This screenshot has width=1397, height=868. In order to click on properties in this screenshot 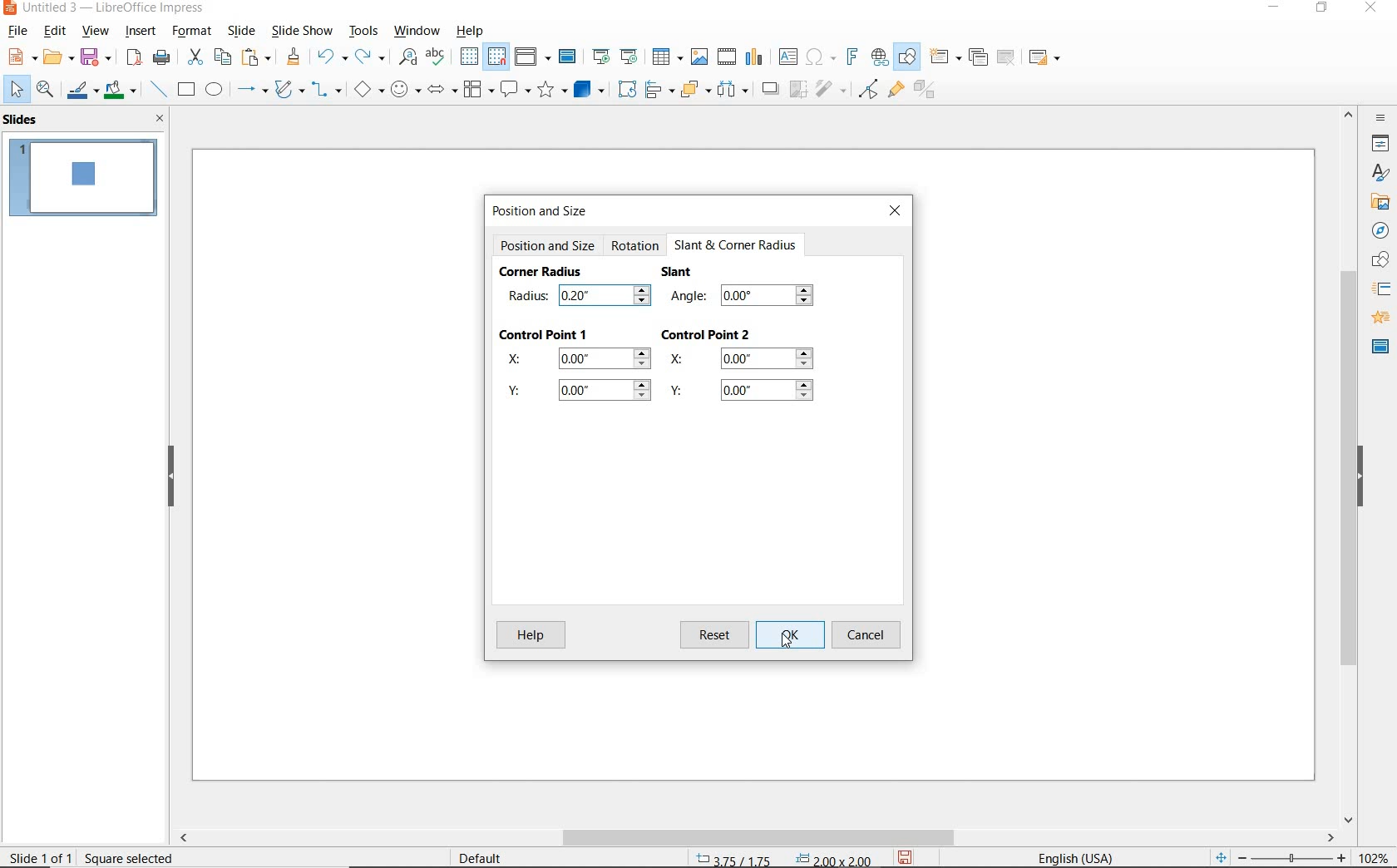, I will do `click(1378, 145)`.